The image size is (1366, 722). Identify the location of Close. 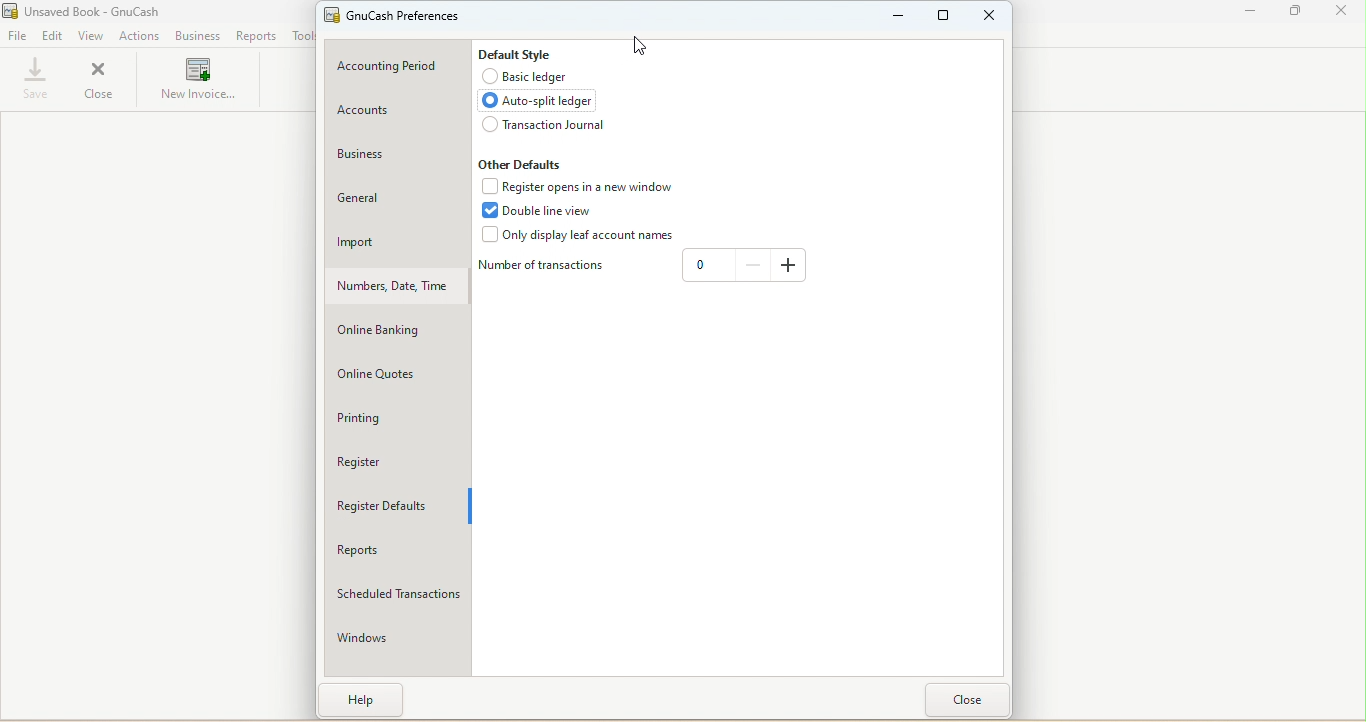
(969, 703).